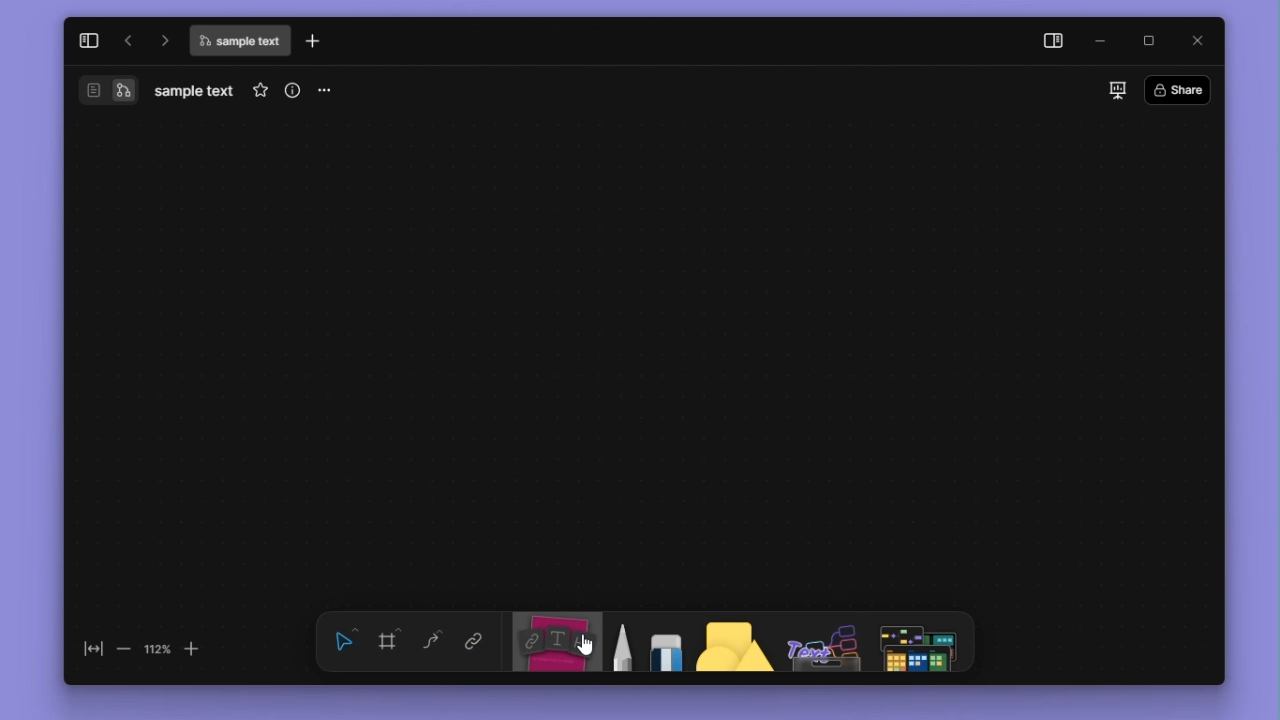  I want to click on side panel, so click(1054, 42).